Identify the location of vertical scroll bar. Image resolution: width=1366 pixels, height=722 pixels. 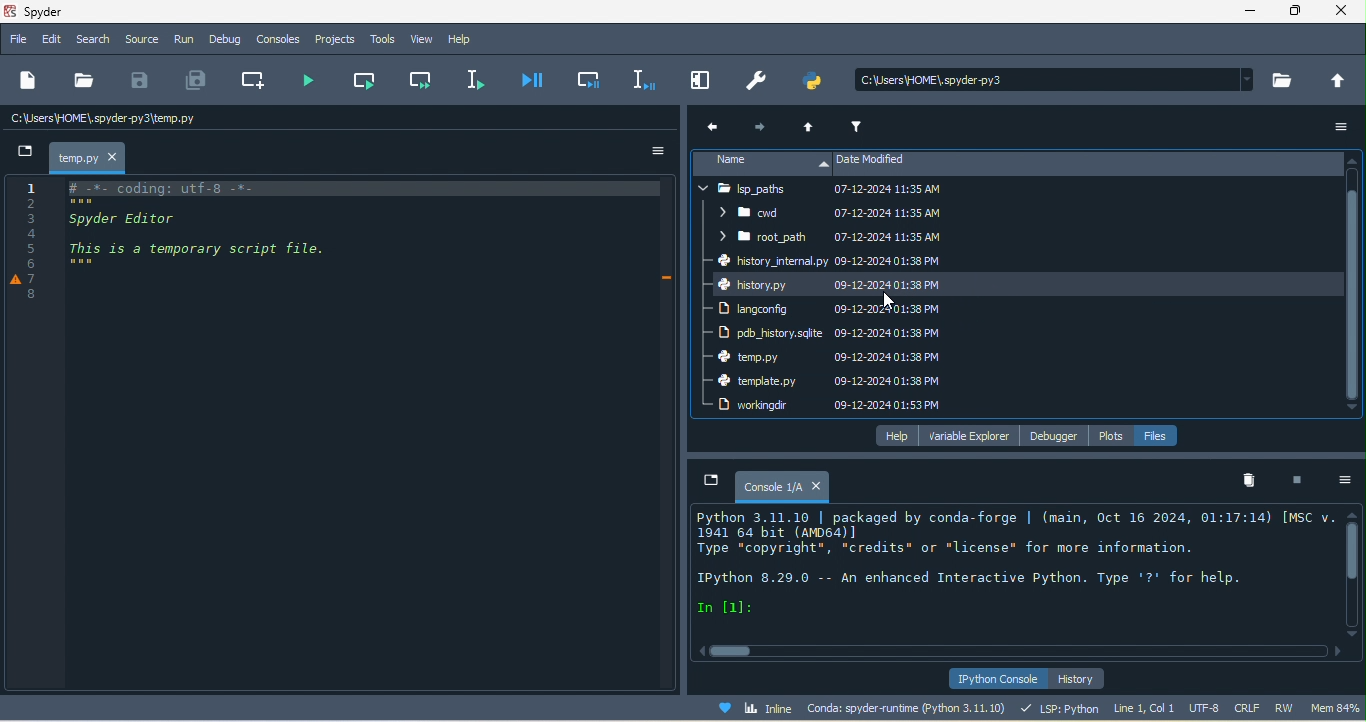
(1354, 574).